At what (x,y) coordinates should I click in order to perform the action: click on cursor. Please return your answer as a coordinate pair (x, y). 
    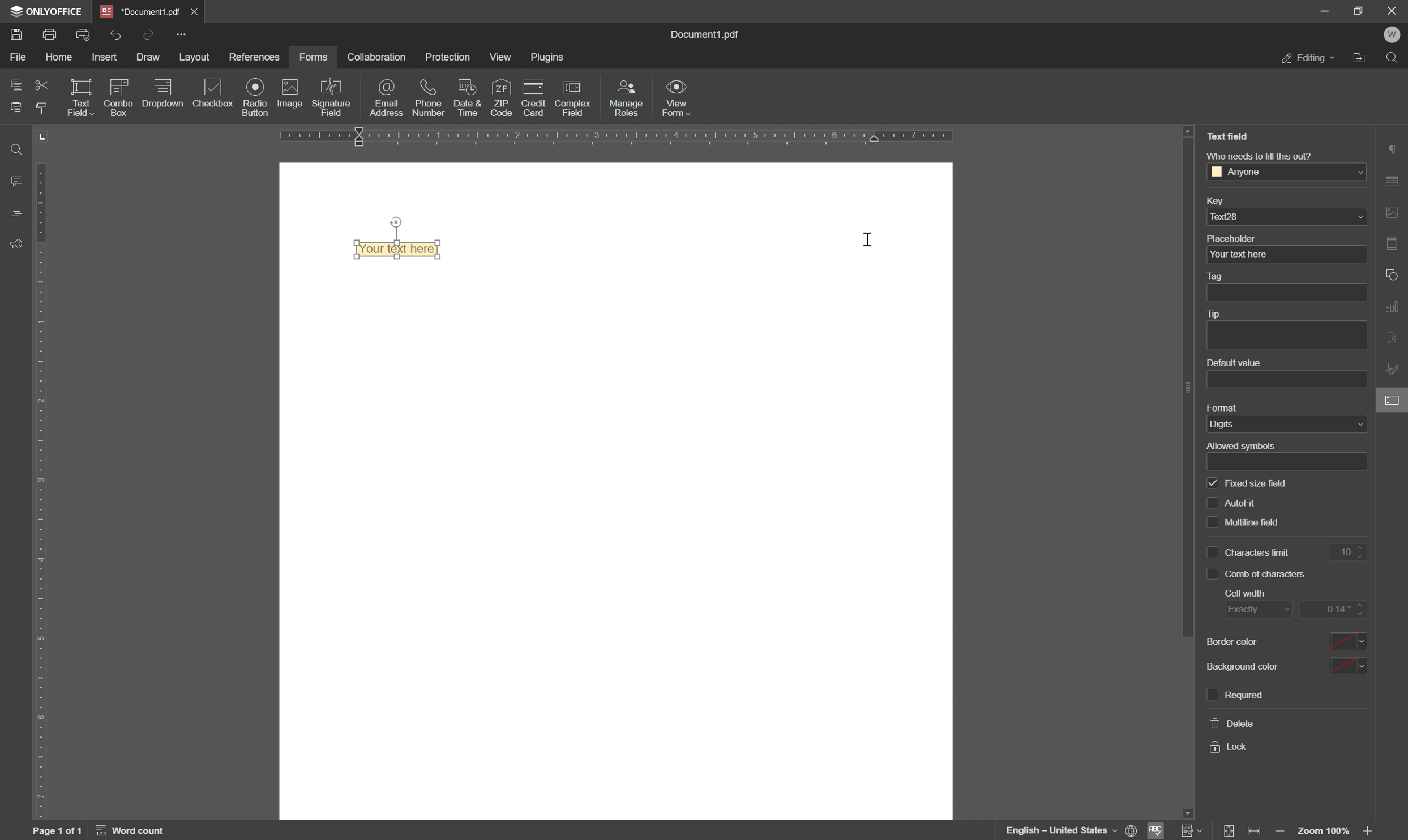
    Looking at the image, I should click on (869, 242).